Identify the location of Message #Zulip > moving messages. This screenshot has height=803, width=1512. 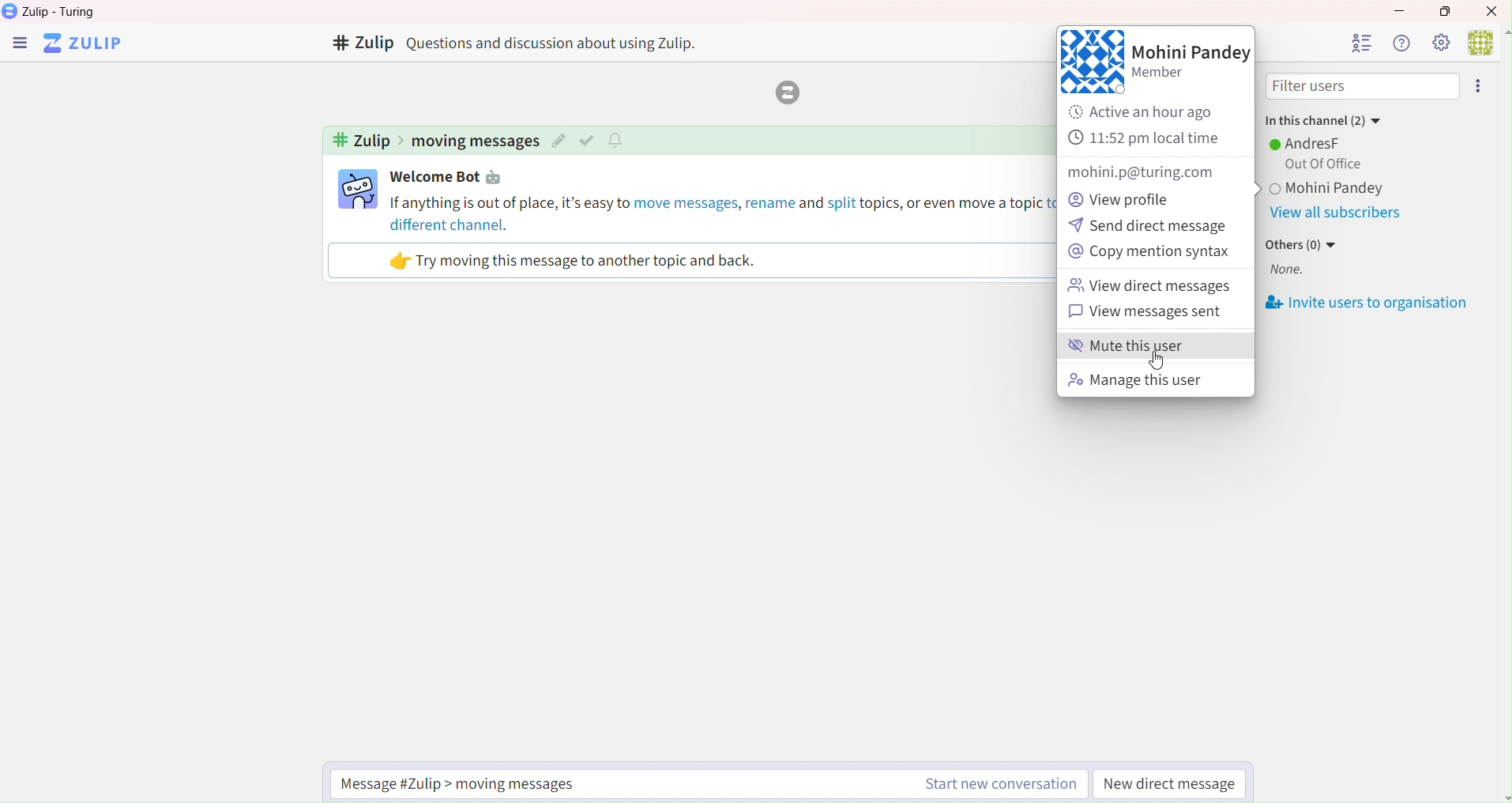
(469, 783).